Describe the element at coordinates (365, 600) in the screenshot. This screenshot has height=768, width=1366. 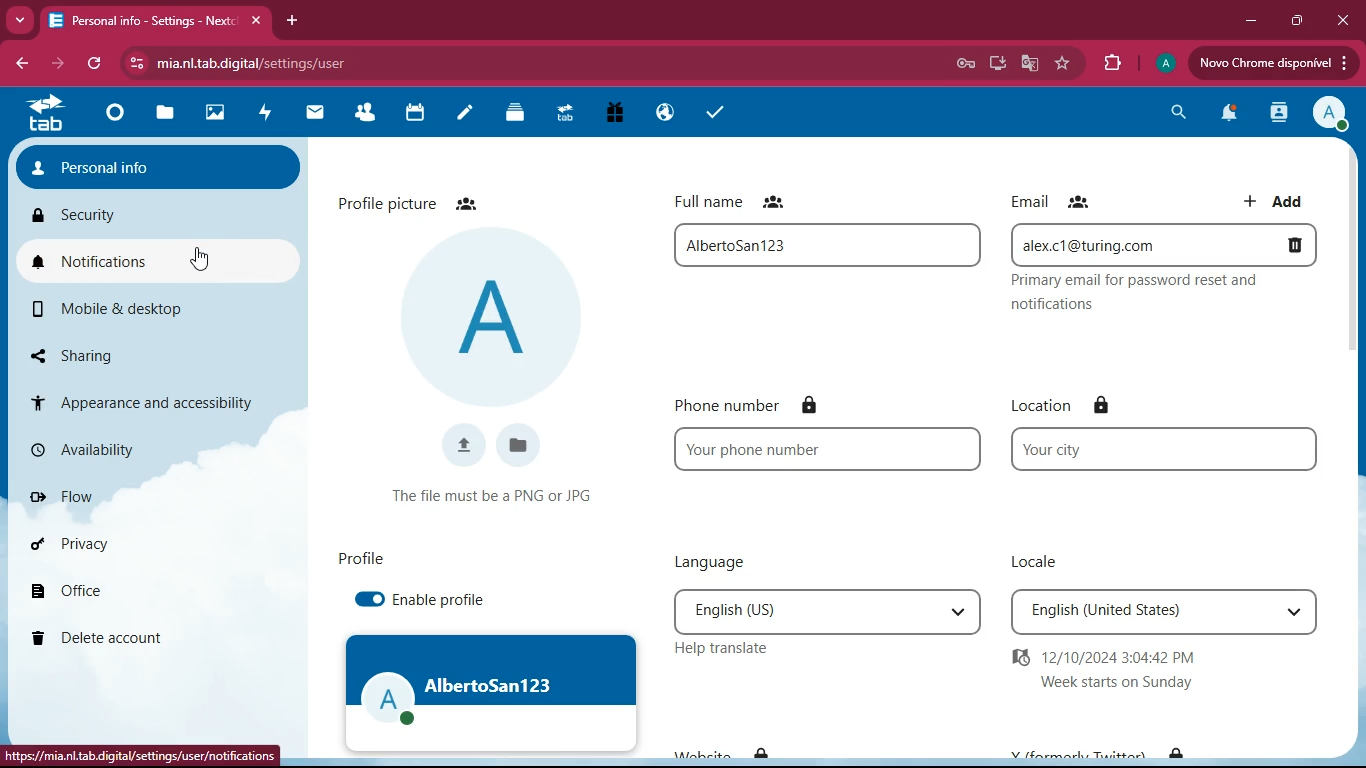
I see `enable` at that location.